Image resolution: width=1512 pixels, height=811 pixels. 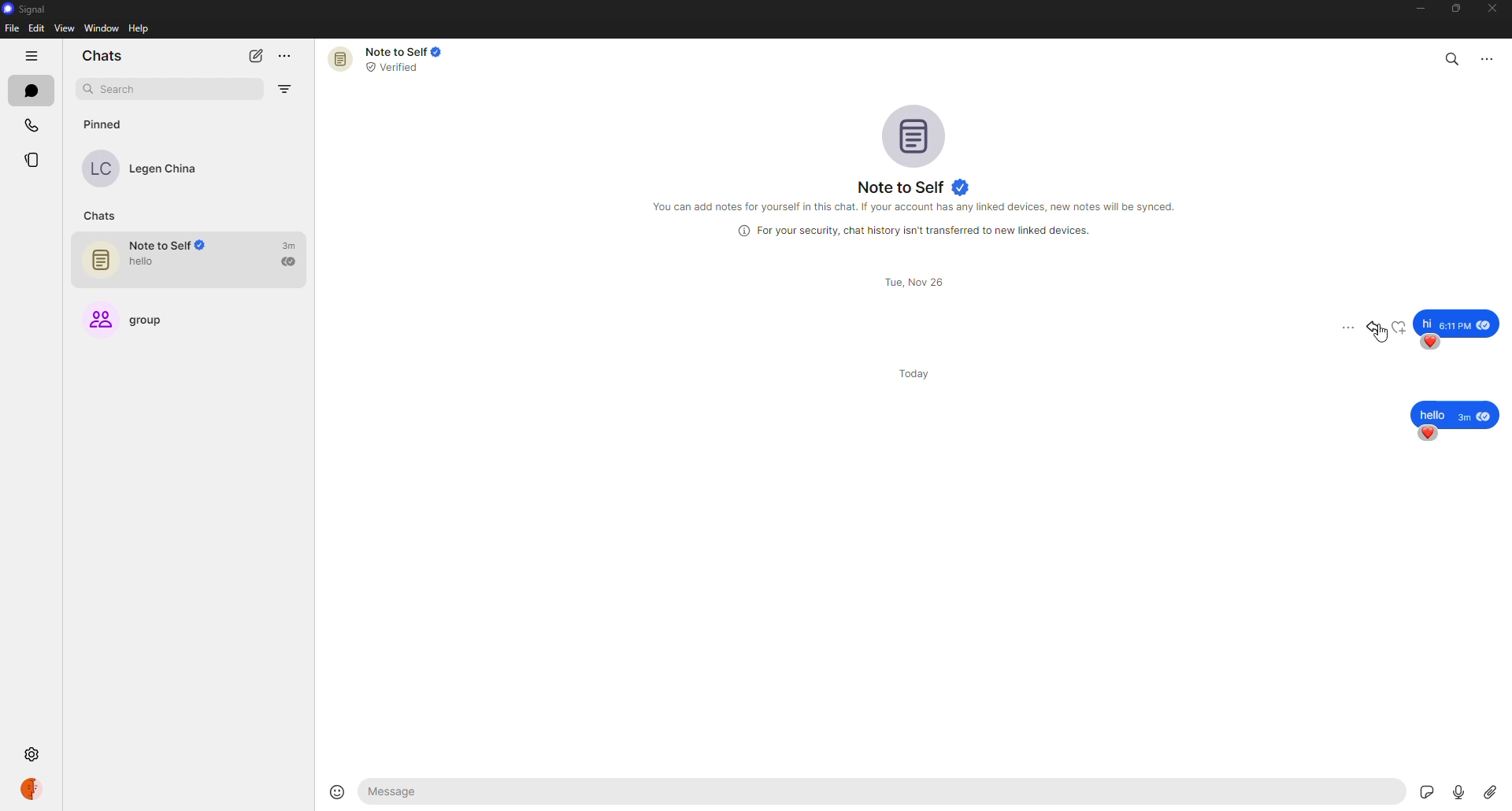 I want to click on emoji, so click(x=337, y=791).